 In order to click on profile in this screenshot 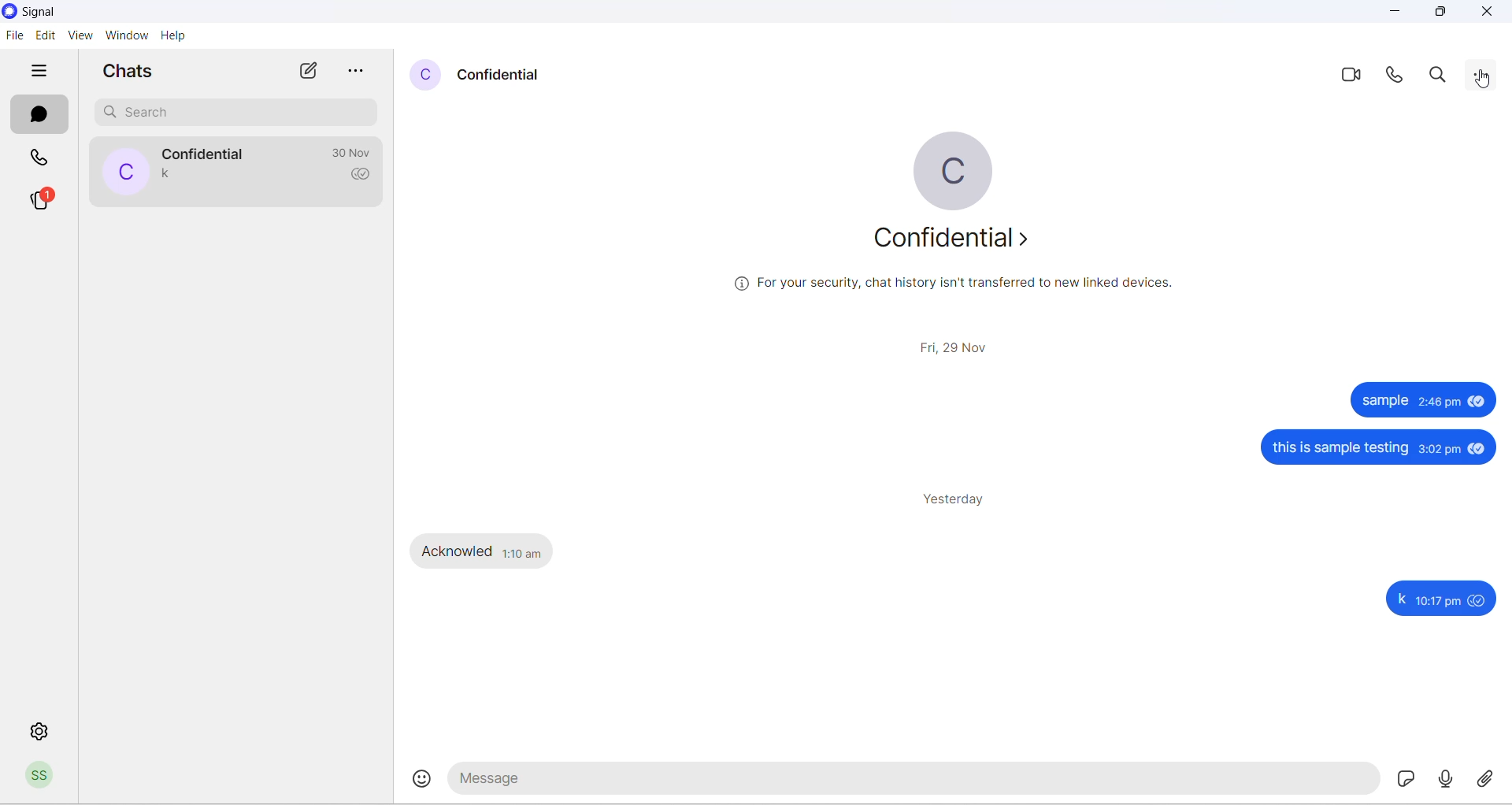, I will do `click(40, 777)`.